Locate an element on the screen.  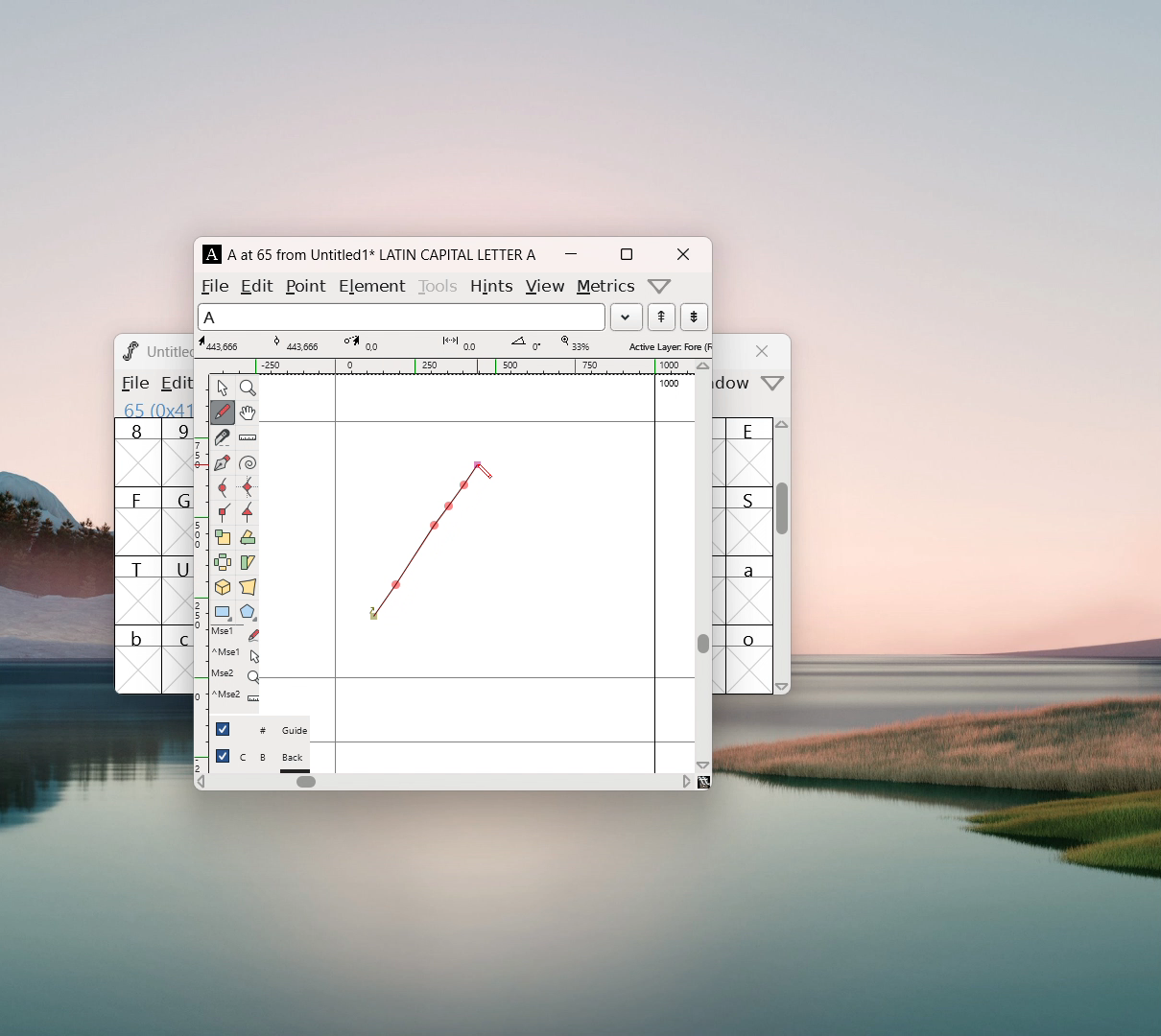
rectangle or ellipse is located at coordinates (224, 613).